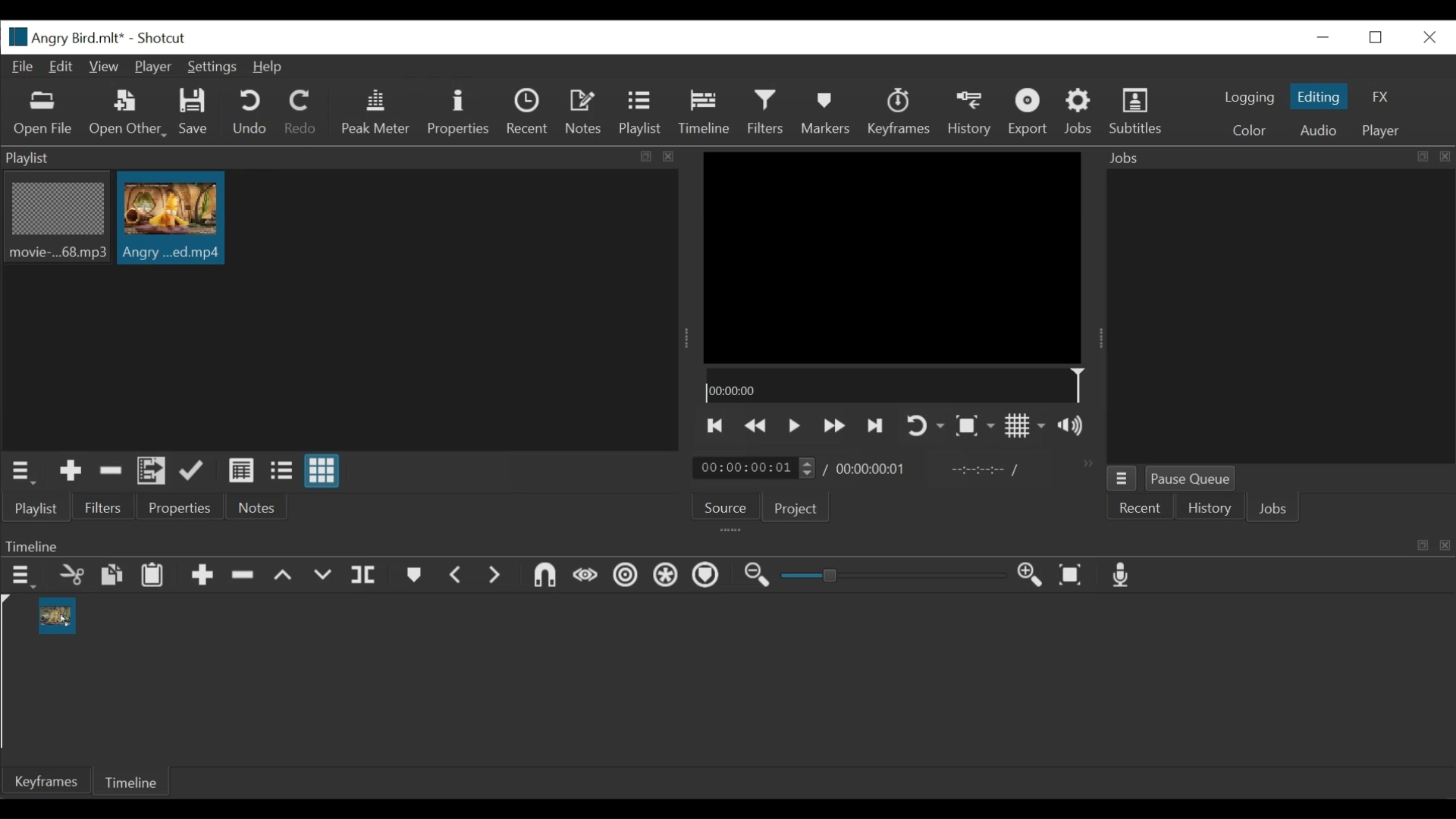 The height and width of the screenshot is (819, 1456). What do you see at coordinates (1253, 130) in the screenshot?
I see `Color` at bounding box center [1253, 130].